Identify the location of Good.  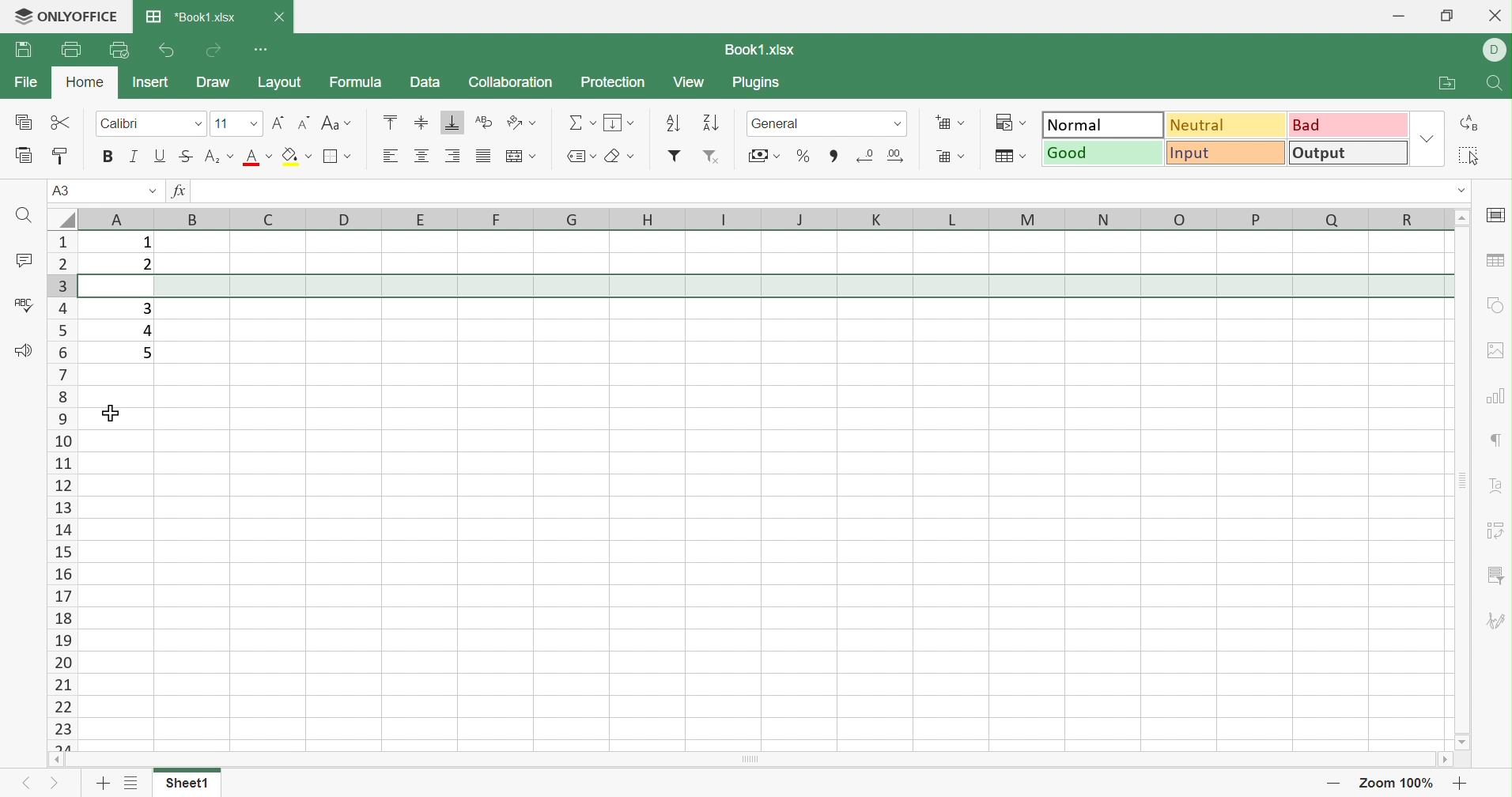
(1103, 153).